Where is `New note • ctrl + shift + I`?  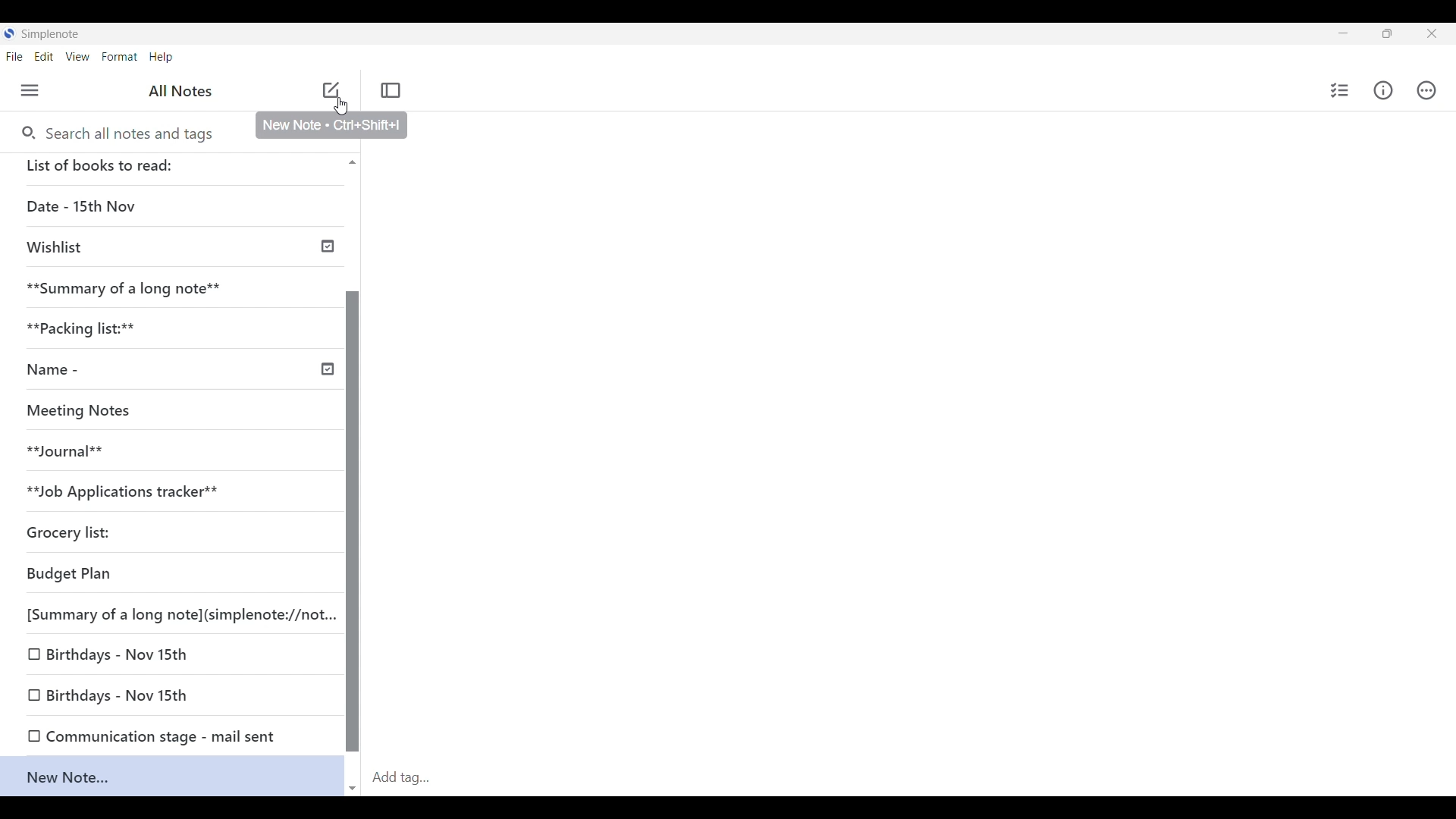
New note • ctrl + shift + I is located at coordinates (331, 127).